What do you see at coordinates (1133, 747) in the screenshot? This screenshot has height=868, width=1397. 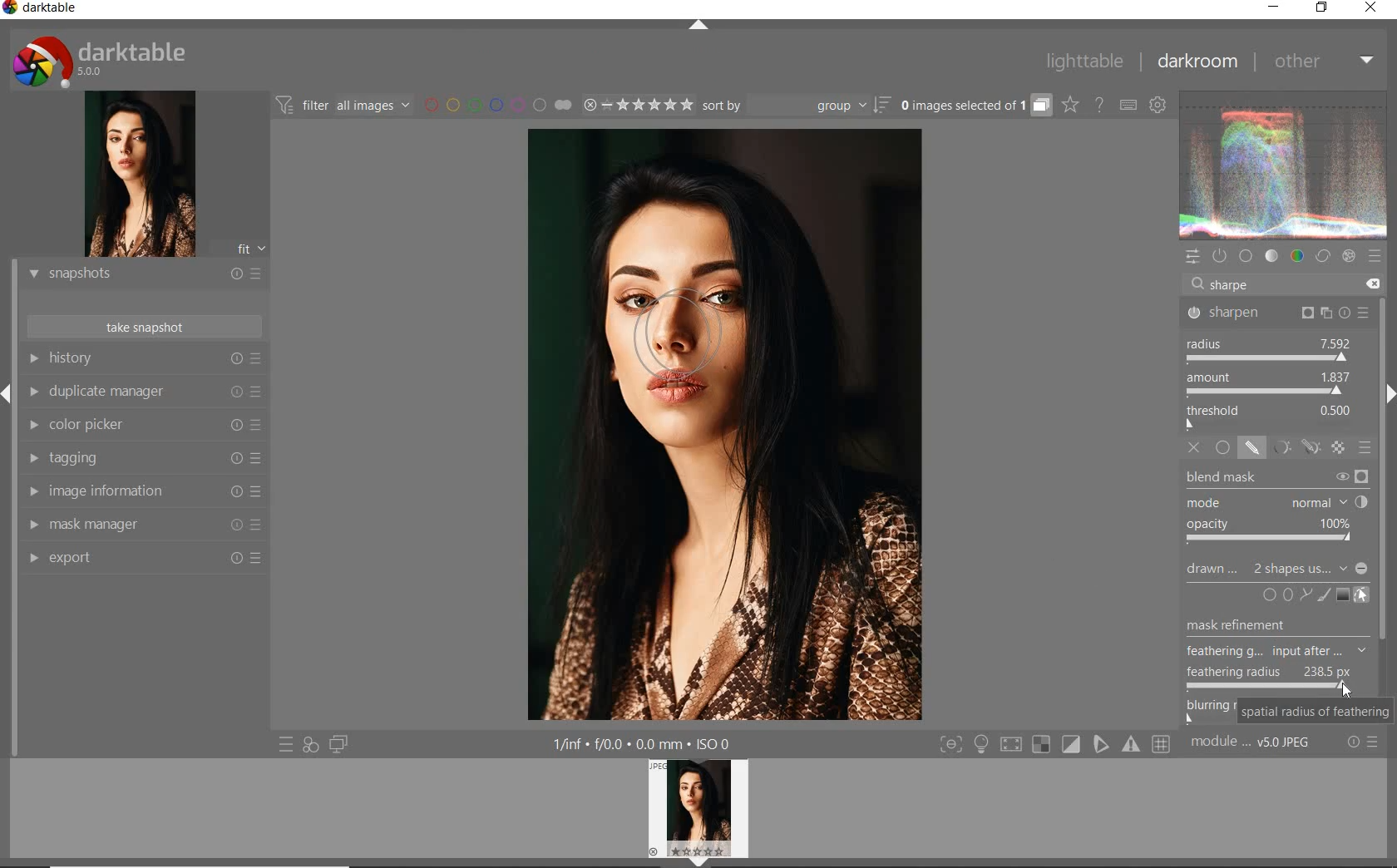 I see `sign ` at bounding box center [1133, 747].